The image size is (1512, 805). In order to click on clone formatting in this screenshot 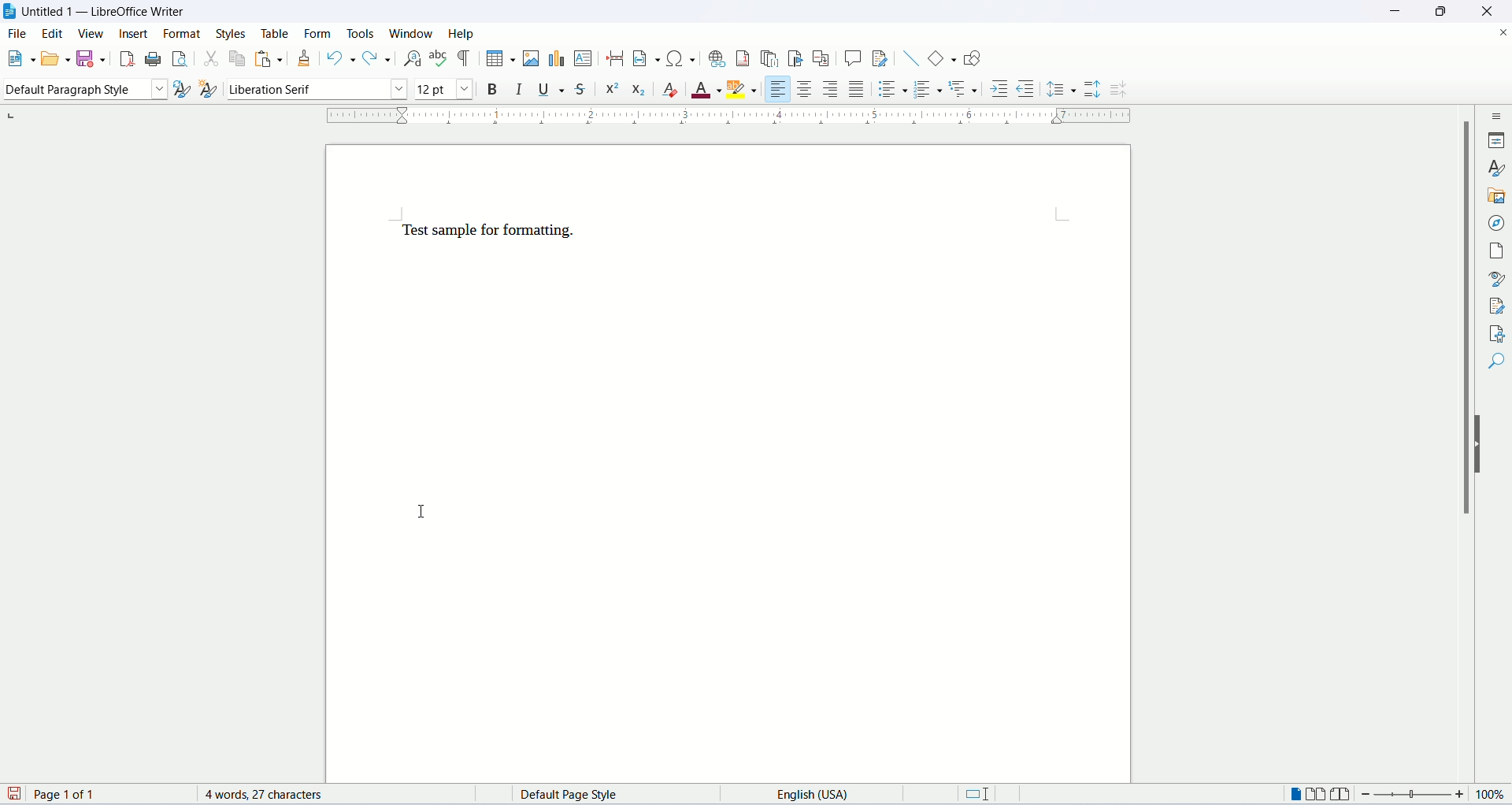, I will do `click(305, 57)`.